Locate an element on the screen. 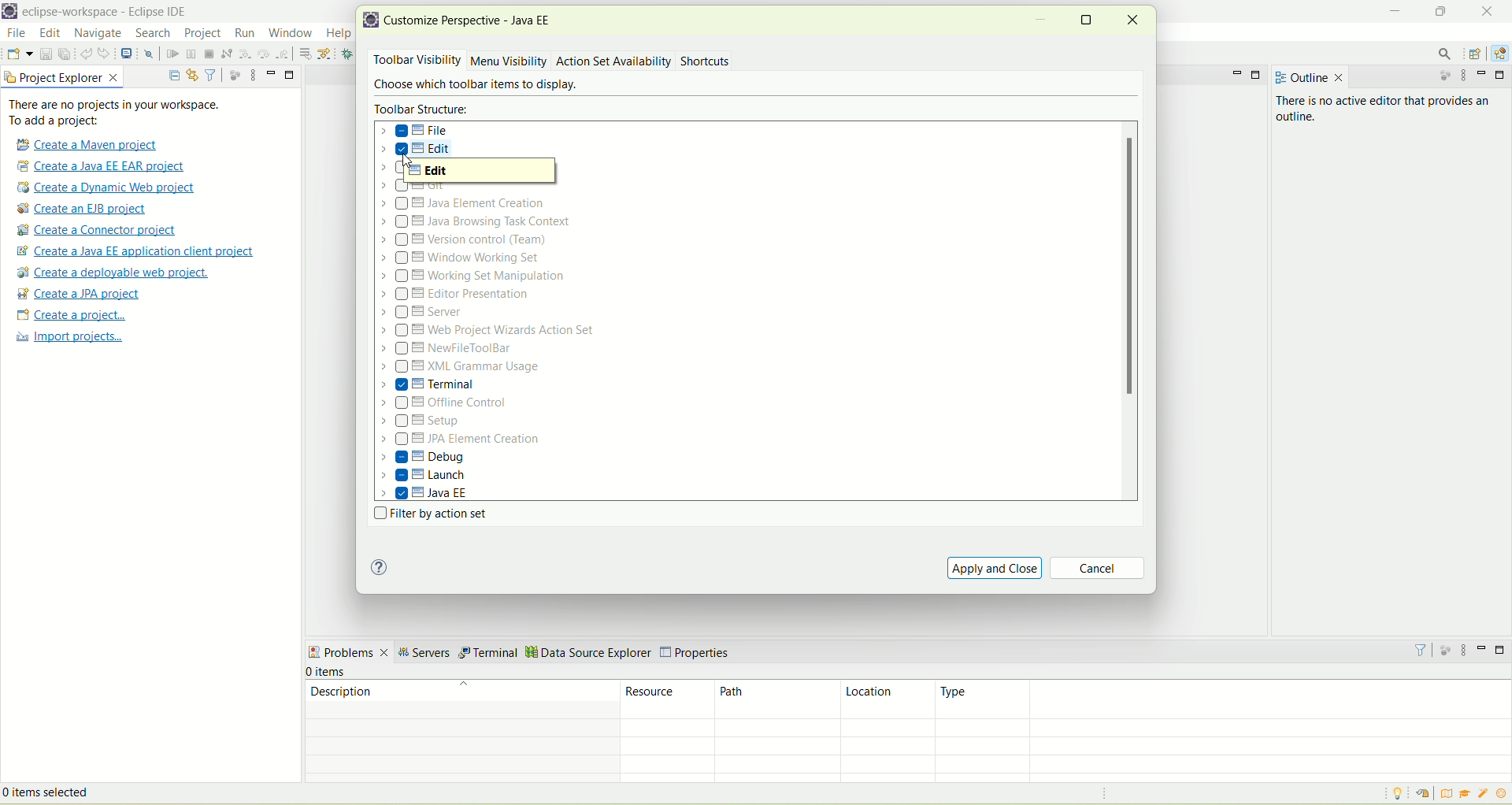  create a EJB project is located at coordinates (86, 210).